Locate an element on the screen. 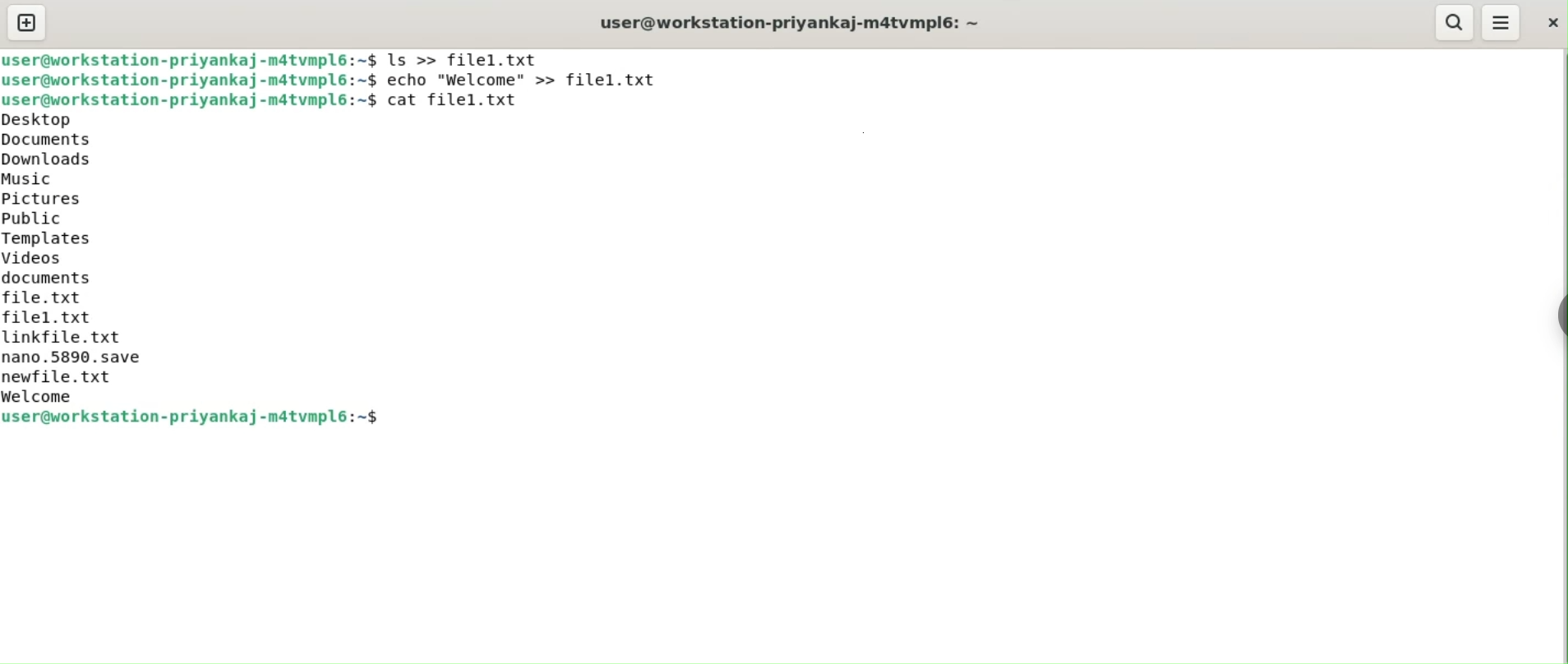  close is located at coordinates (1552, 26).